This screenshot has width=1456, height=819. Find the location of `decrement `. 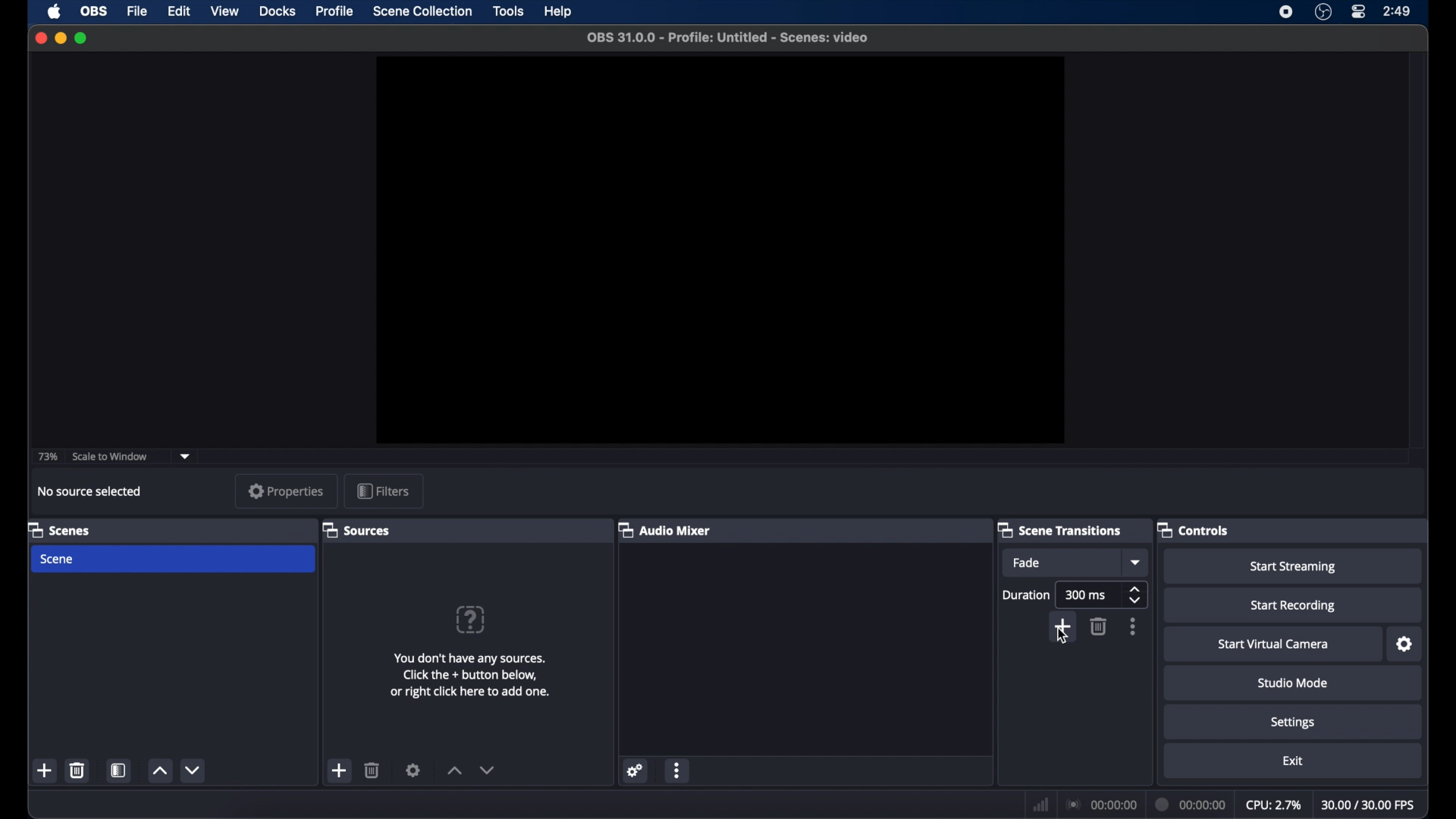

decrement  is located at coordinates (194, 770).